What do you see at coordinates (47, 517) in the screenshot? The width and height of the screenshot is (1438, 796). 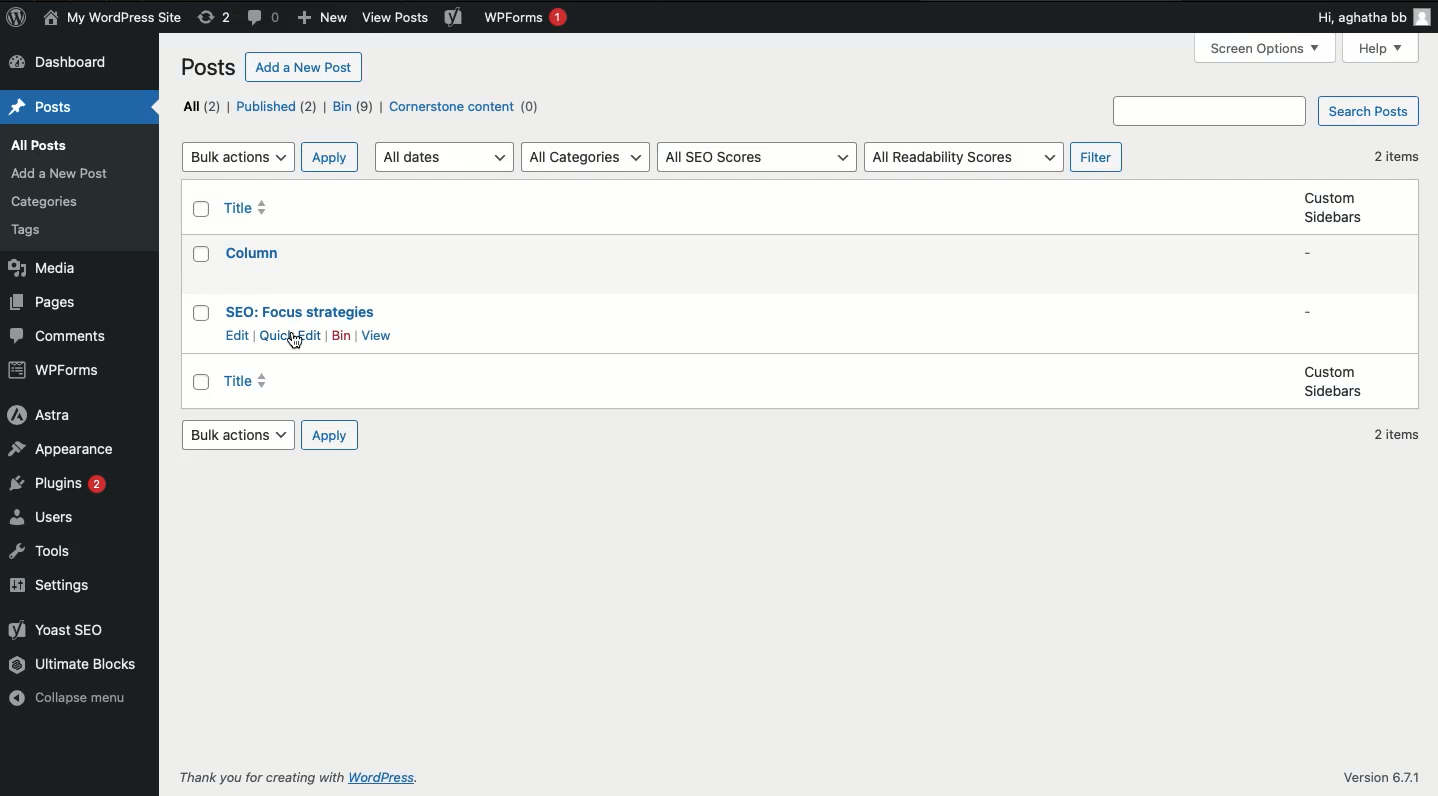 I see `Users` at bounding box center [47, 517].